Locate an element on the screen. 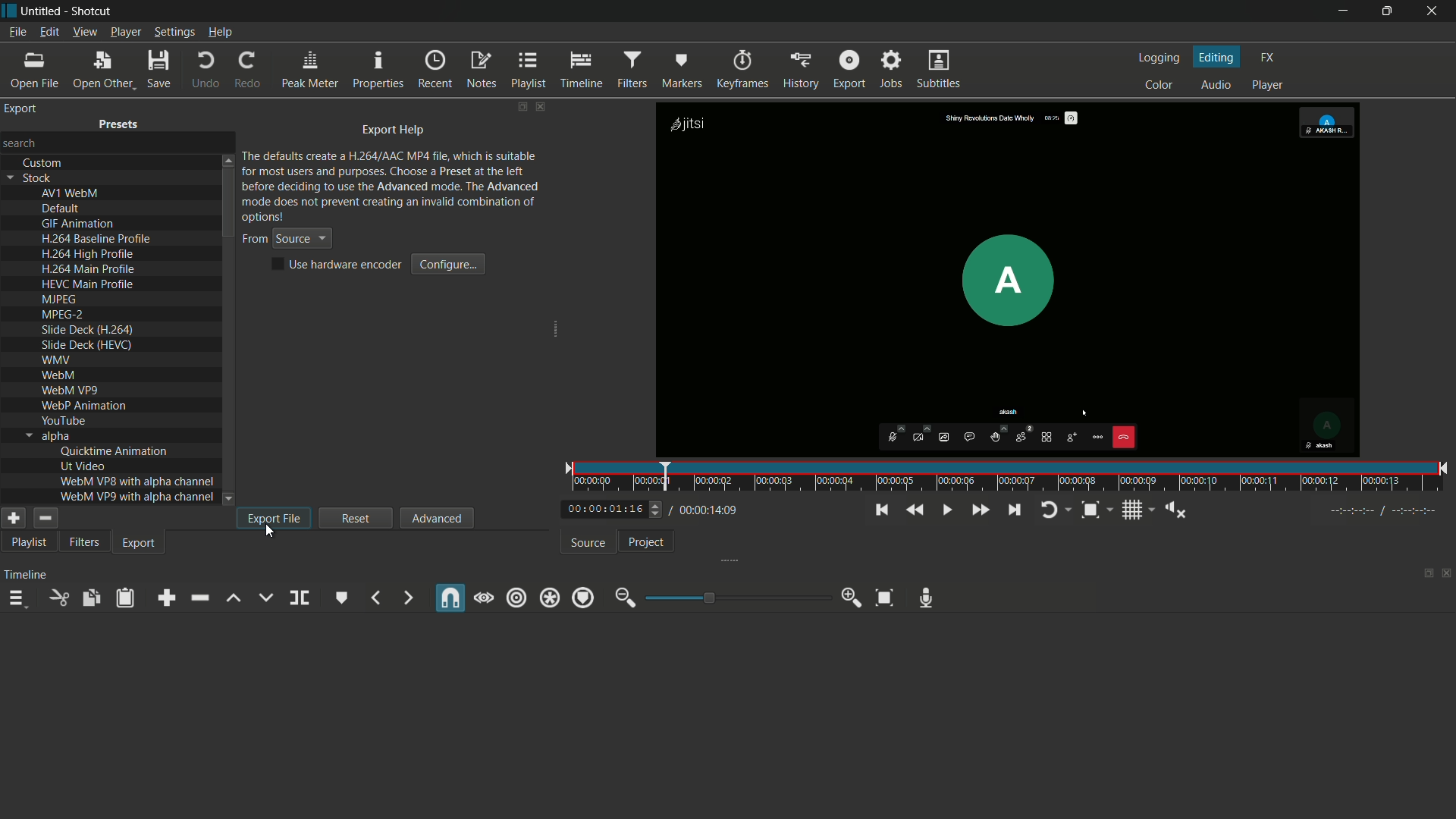  help menu is located at coordinates (221, 33).